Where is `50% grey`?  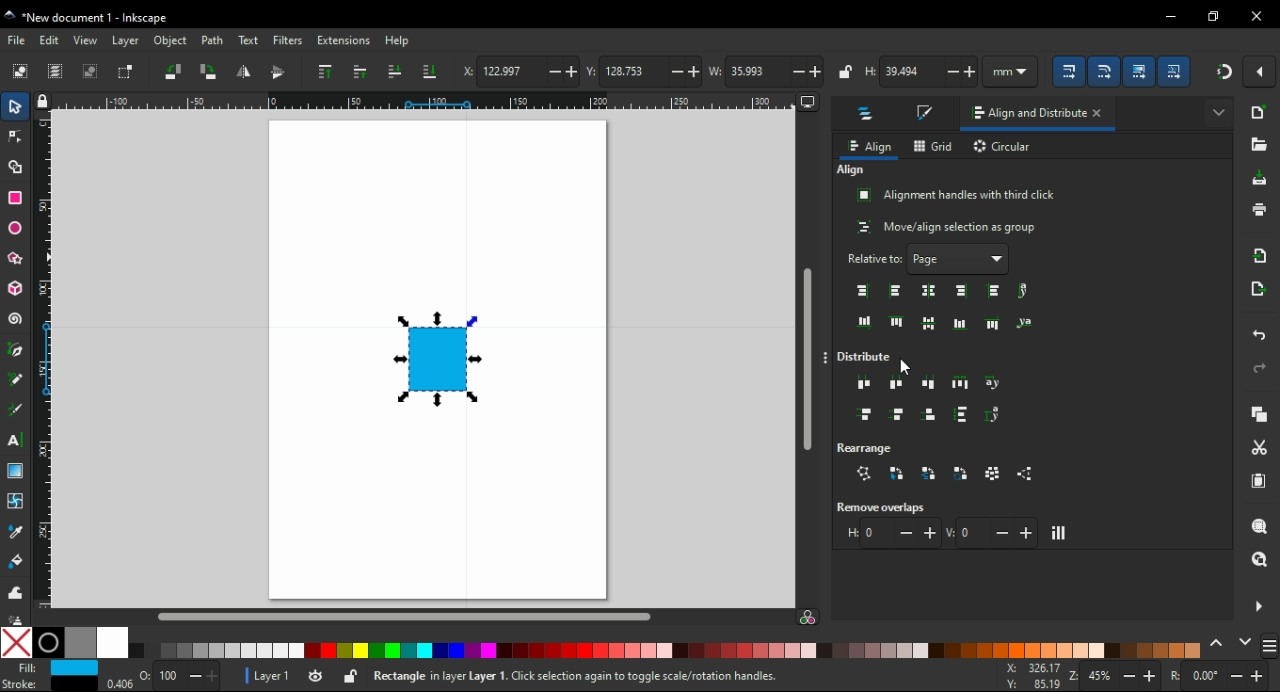 50% grey is located at coordinates (80, 643).